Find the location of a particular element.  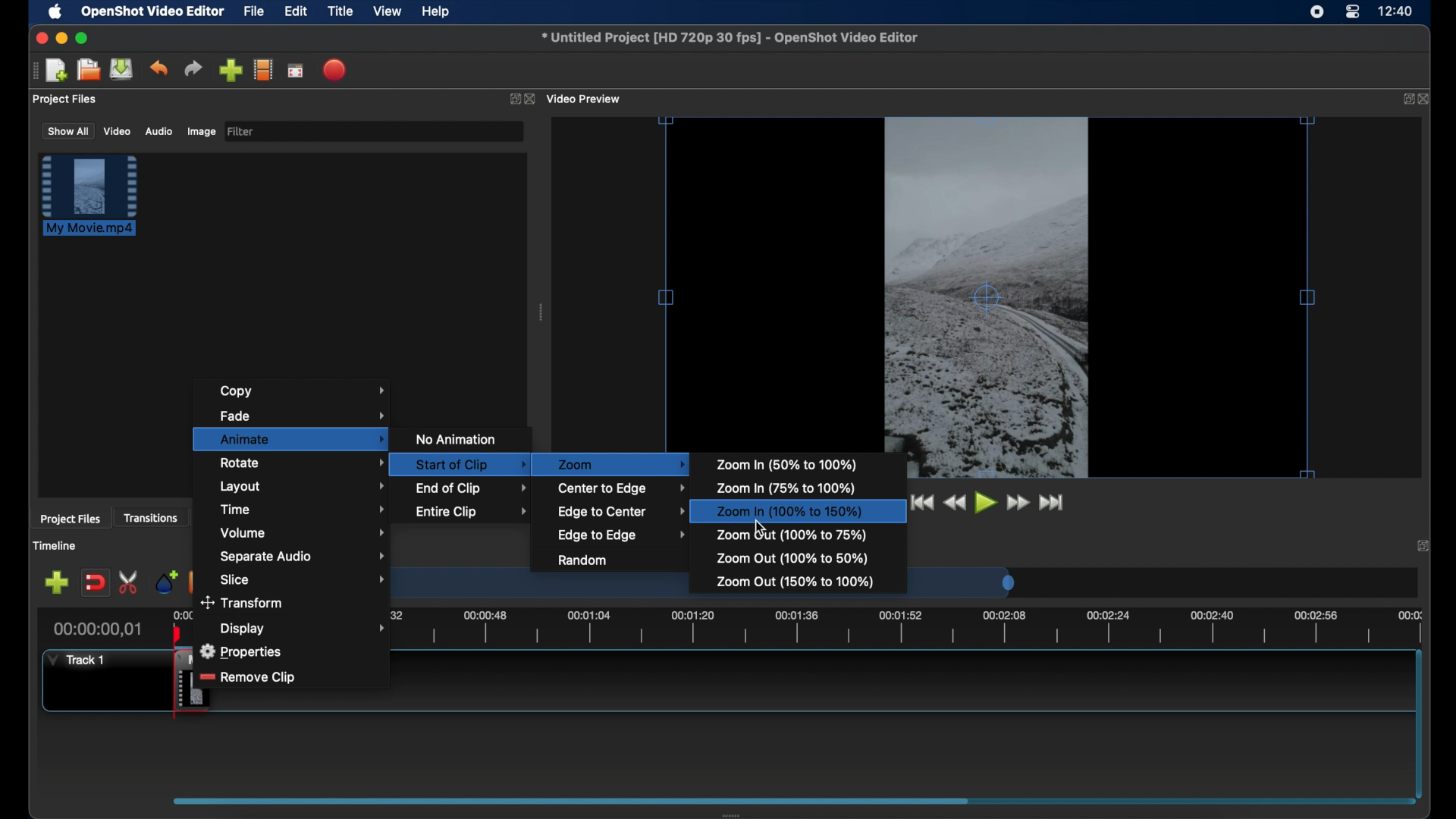

video is located at coordinates (117, 132).